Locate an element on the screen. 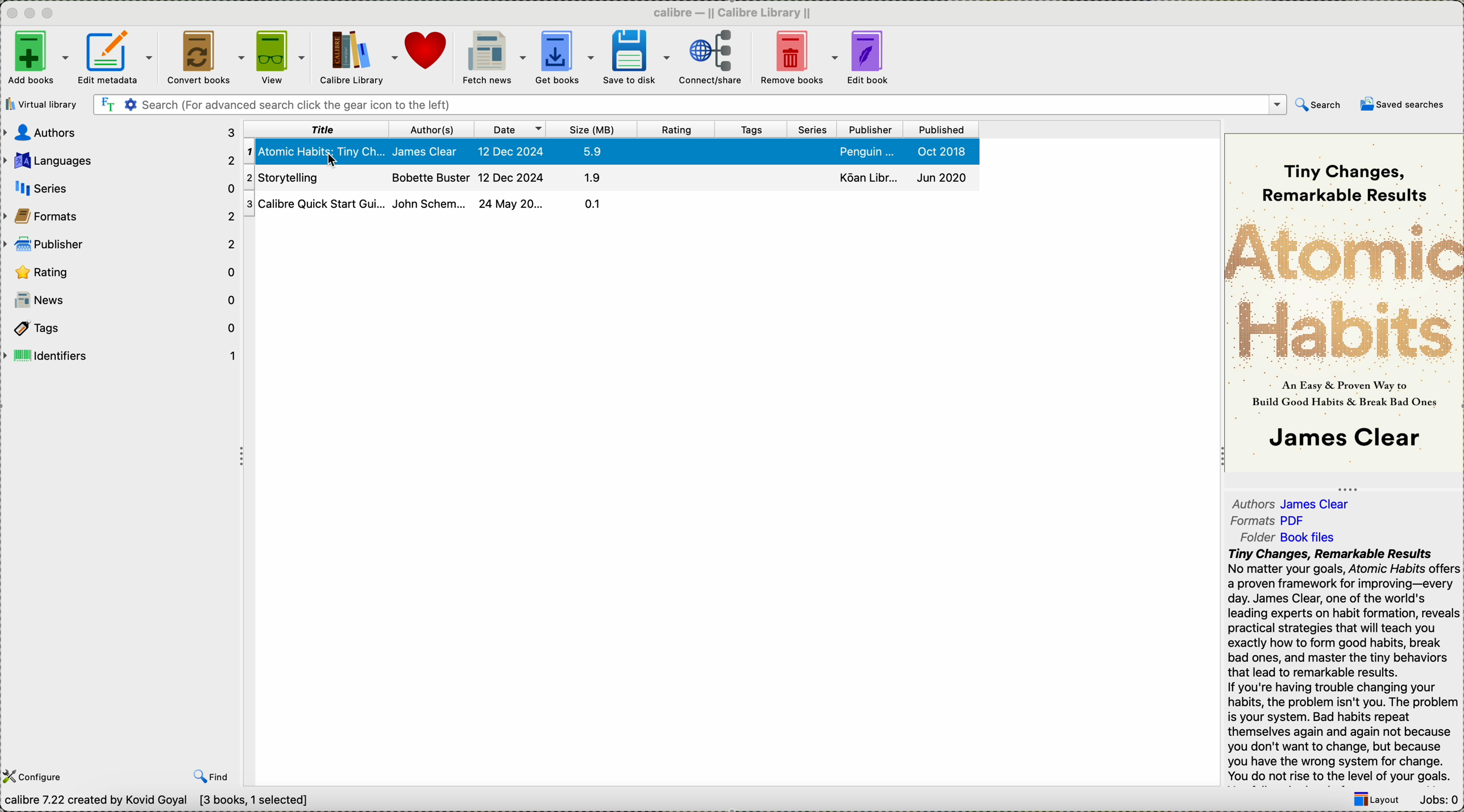 This screenshot has width=1464, height=812. find is located at coordinates (211, 776).